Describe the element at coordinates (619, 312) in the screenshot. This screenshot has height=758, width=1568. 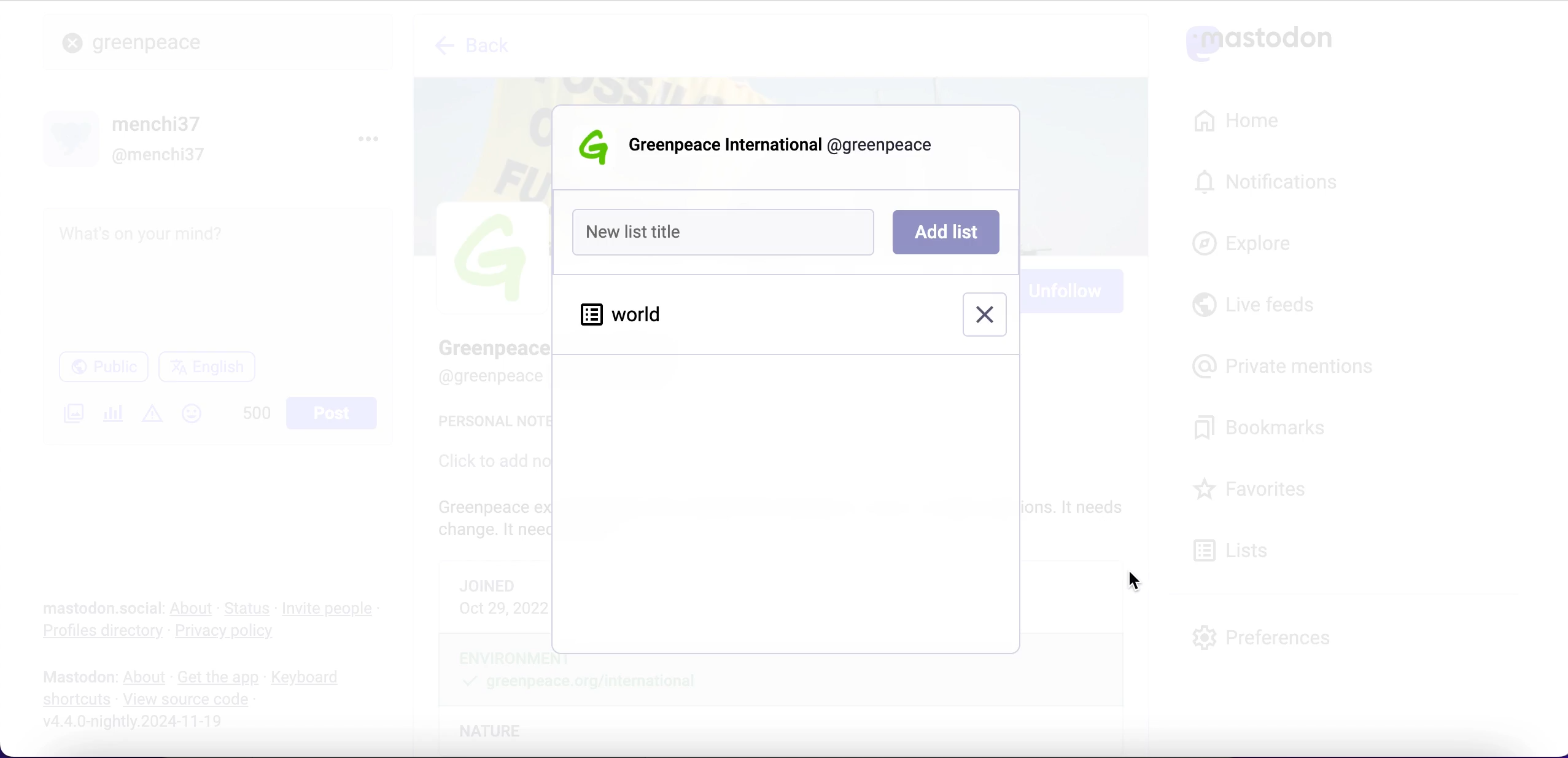
I see `world` at that location.